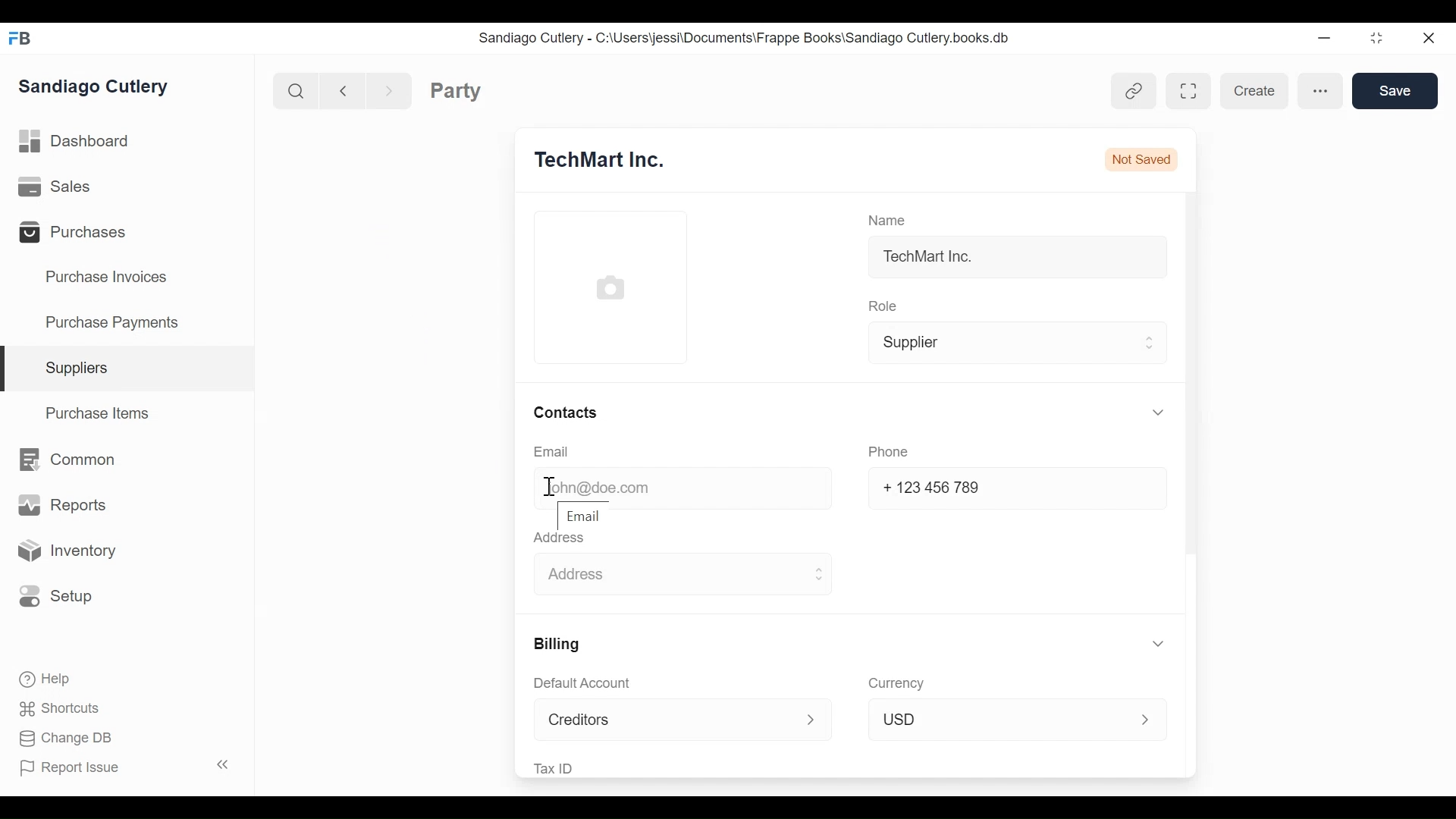 The height and width of the screenshot is (819, 1456). Describe the element at coordinates (482, 91) in the screenshot. I see `Party` at that location.